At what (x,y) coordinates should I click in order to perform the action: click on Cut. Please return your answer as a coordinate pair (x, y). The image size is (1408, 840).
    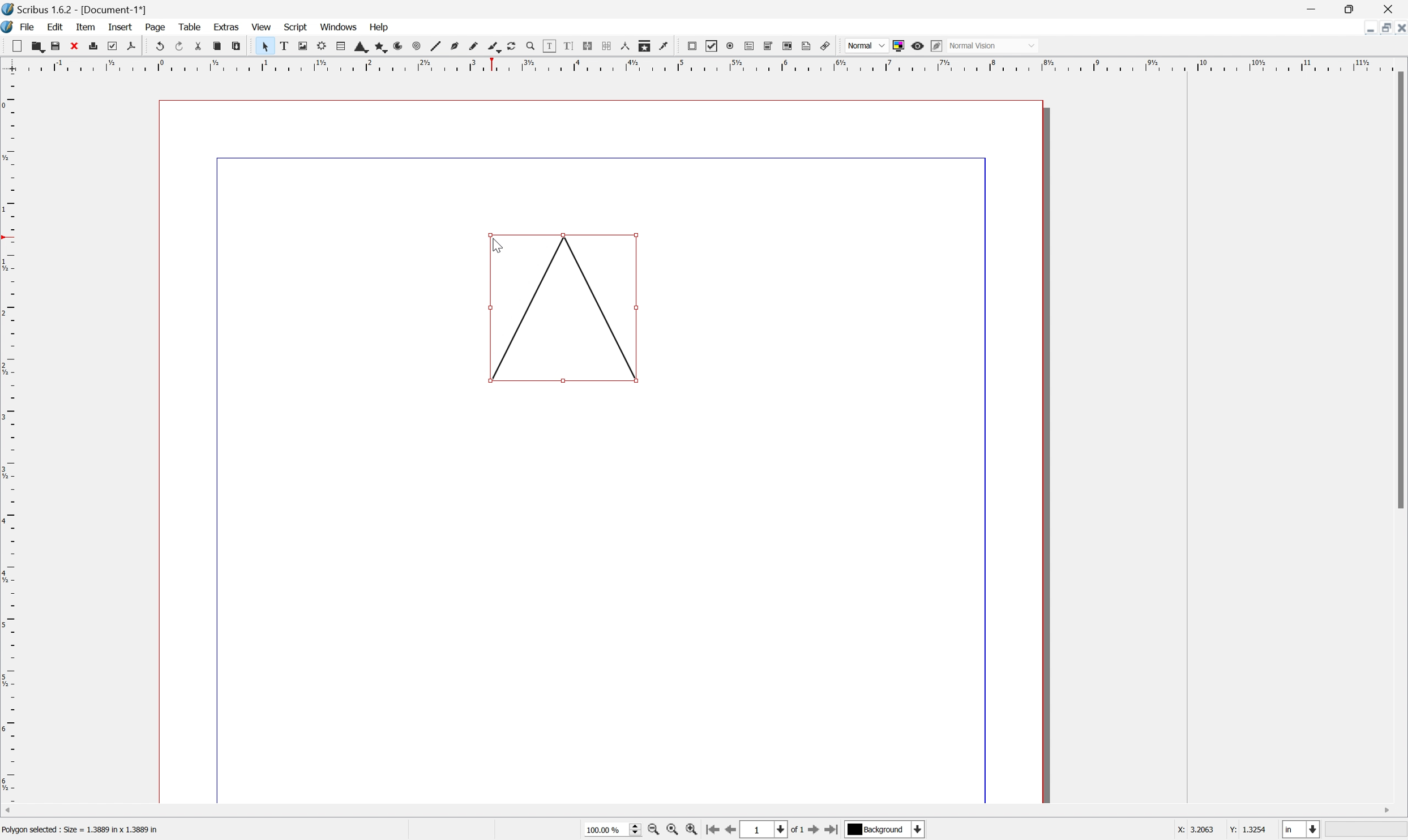
    Looking at the image, I should click on (196, 46).